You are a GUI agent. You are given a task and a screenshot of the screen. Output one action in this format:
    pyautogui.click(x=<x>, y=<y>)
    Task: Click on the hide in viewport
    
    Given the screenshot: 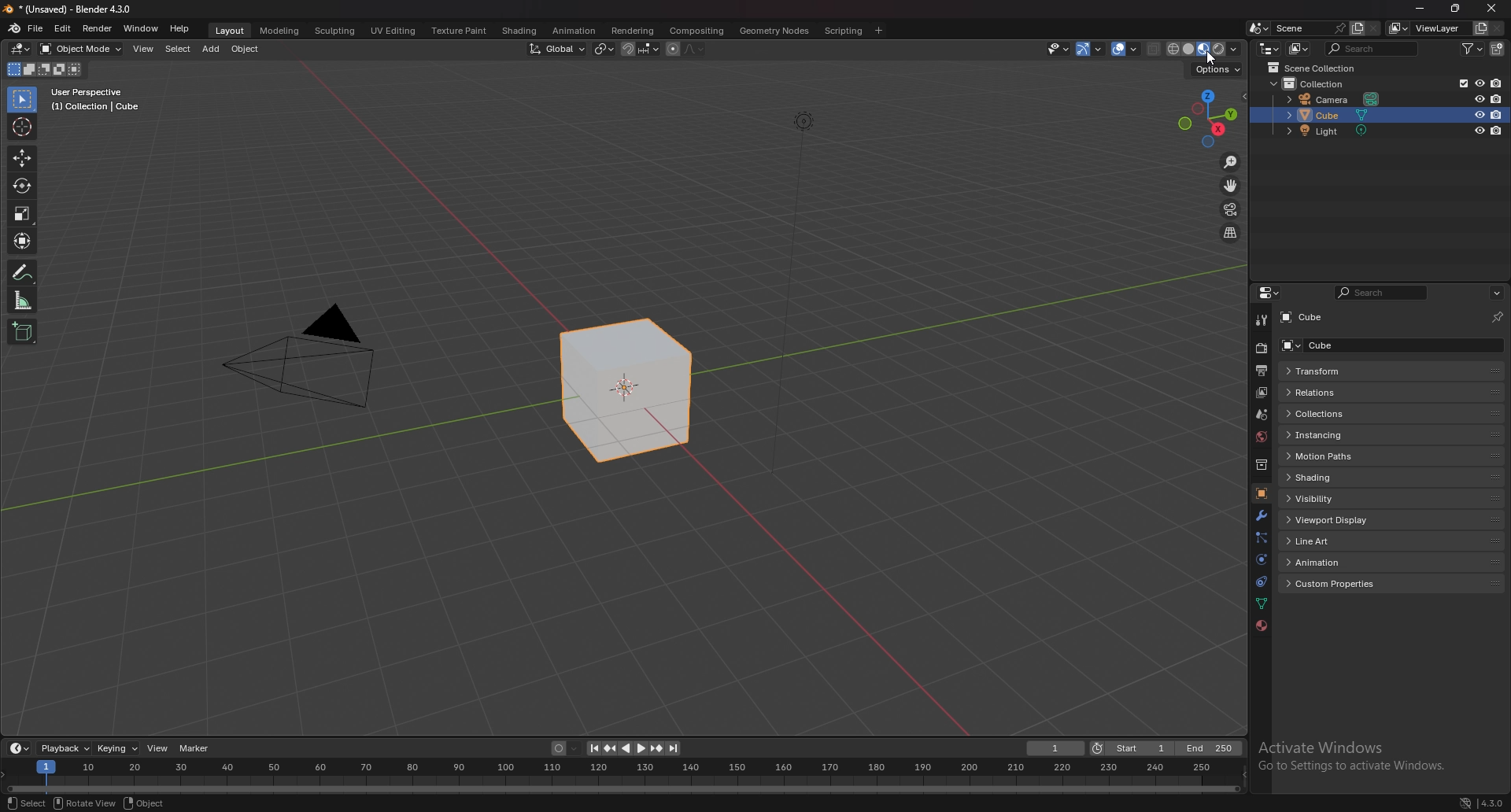 What is the action you would take?
    pyautogui.click(x=1477, y=131)
    